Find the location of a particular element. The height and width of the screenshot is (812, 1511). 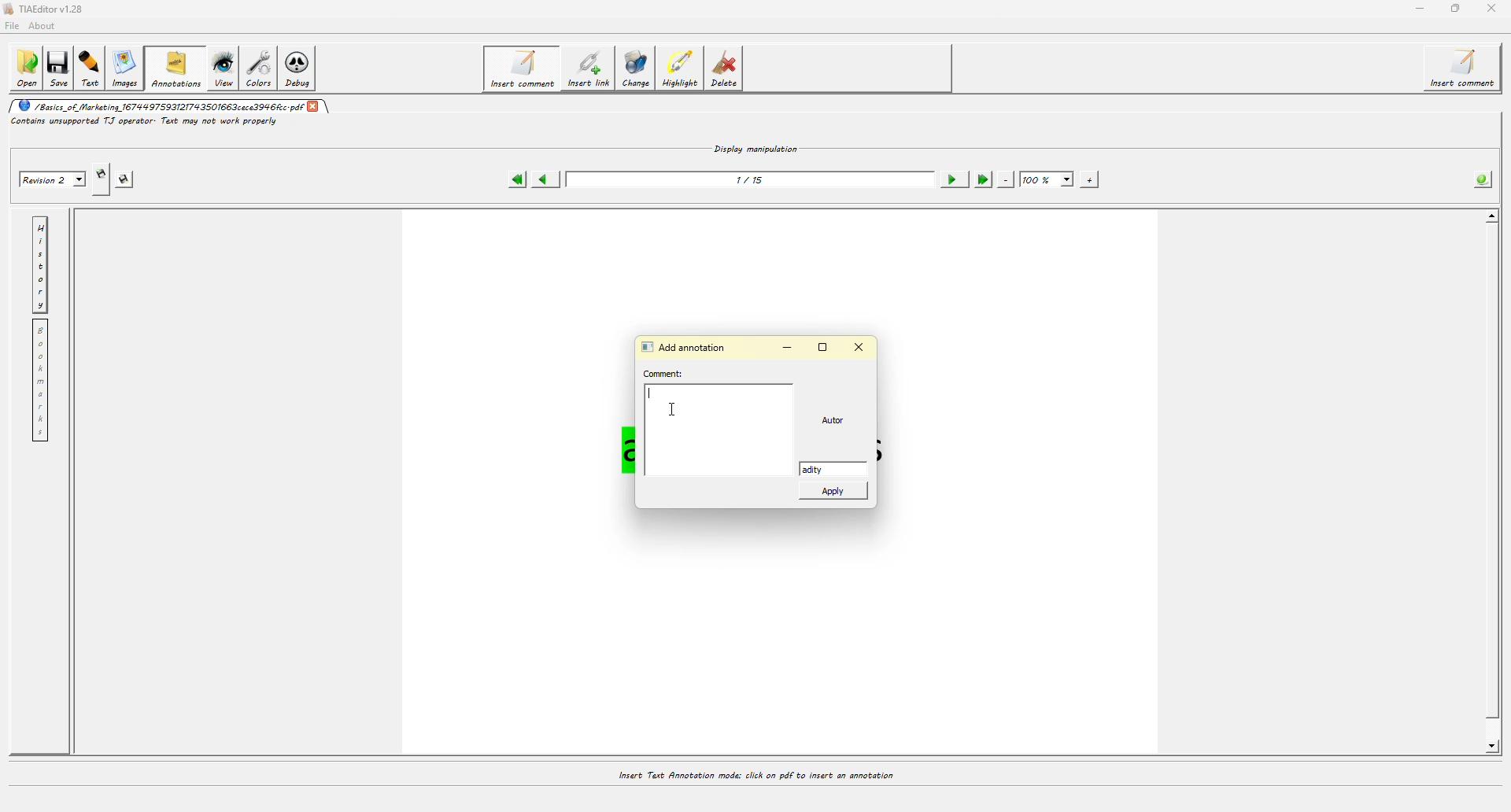

last page is located at coordinates (981, 179).